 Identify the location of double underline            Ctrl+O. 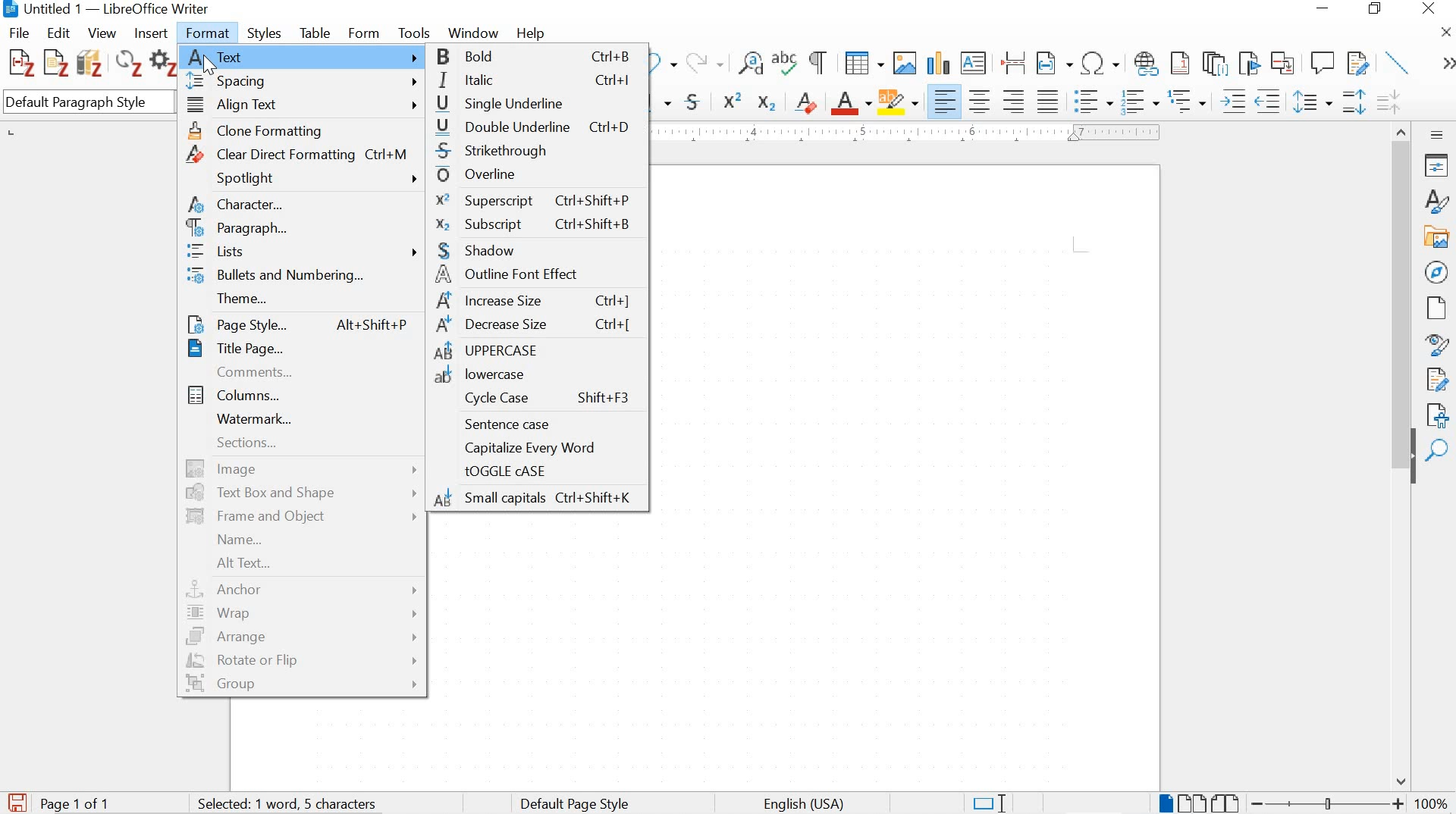
(538, 127).